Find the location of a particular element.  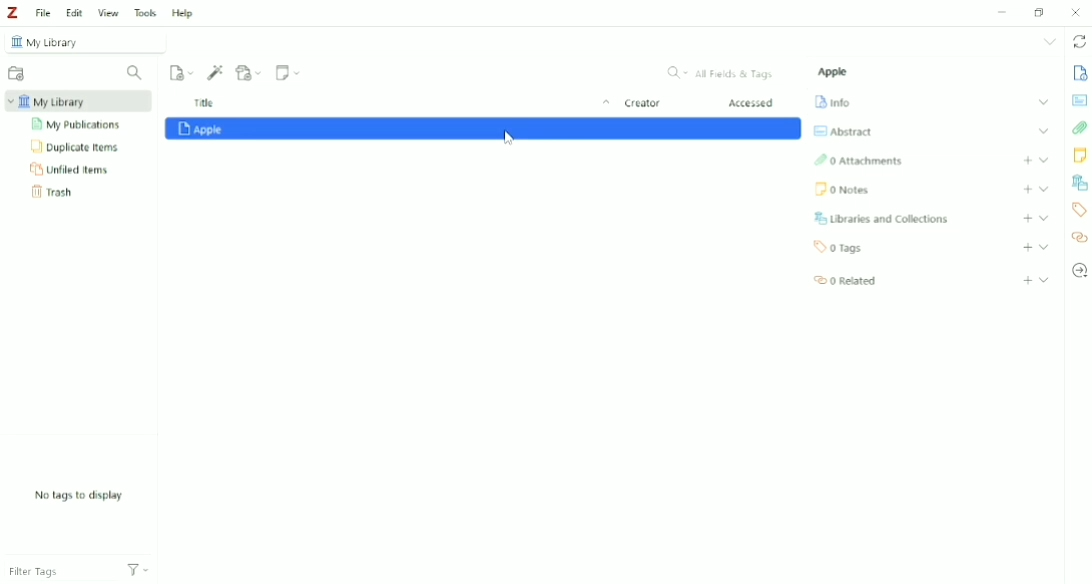

Expand section is located at coordinates (1043, 159).